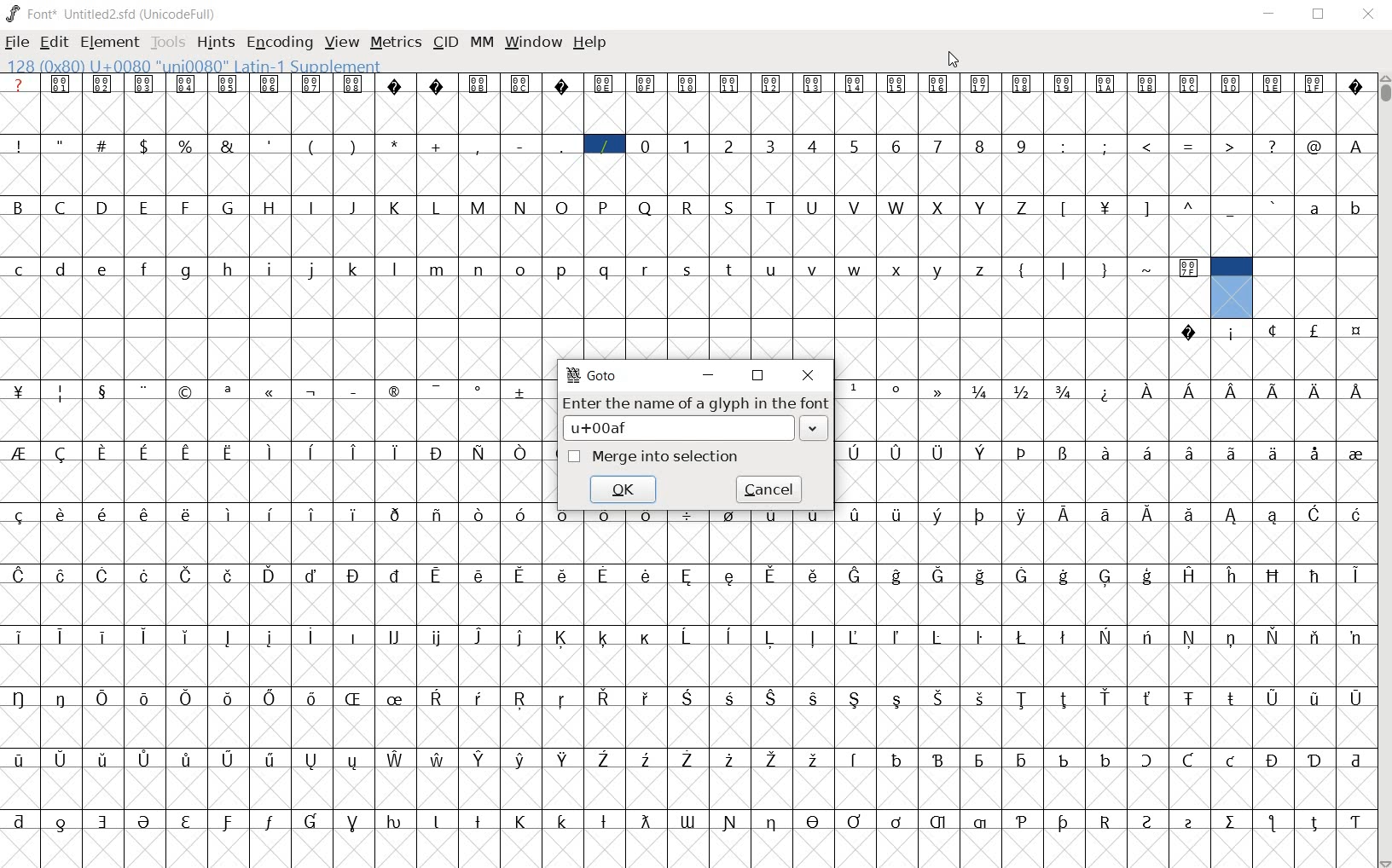  I want to click on v, so click(813, 269).